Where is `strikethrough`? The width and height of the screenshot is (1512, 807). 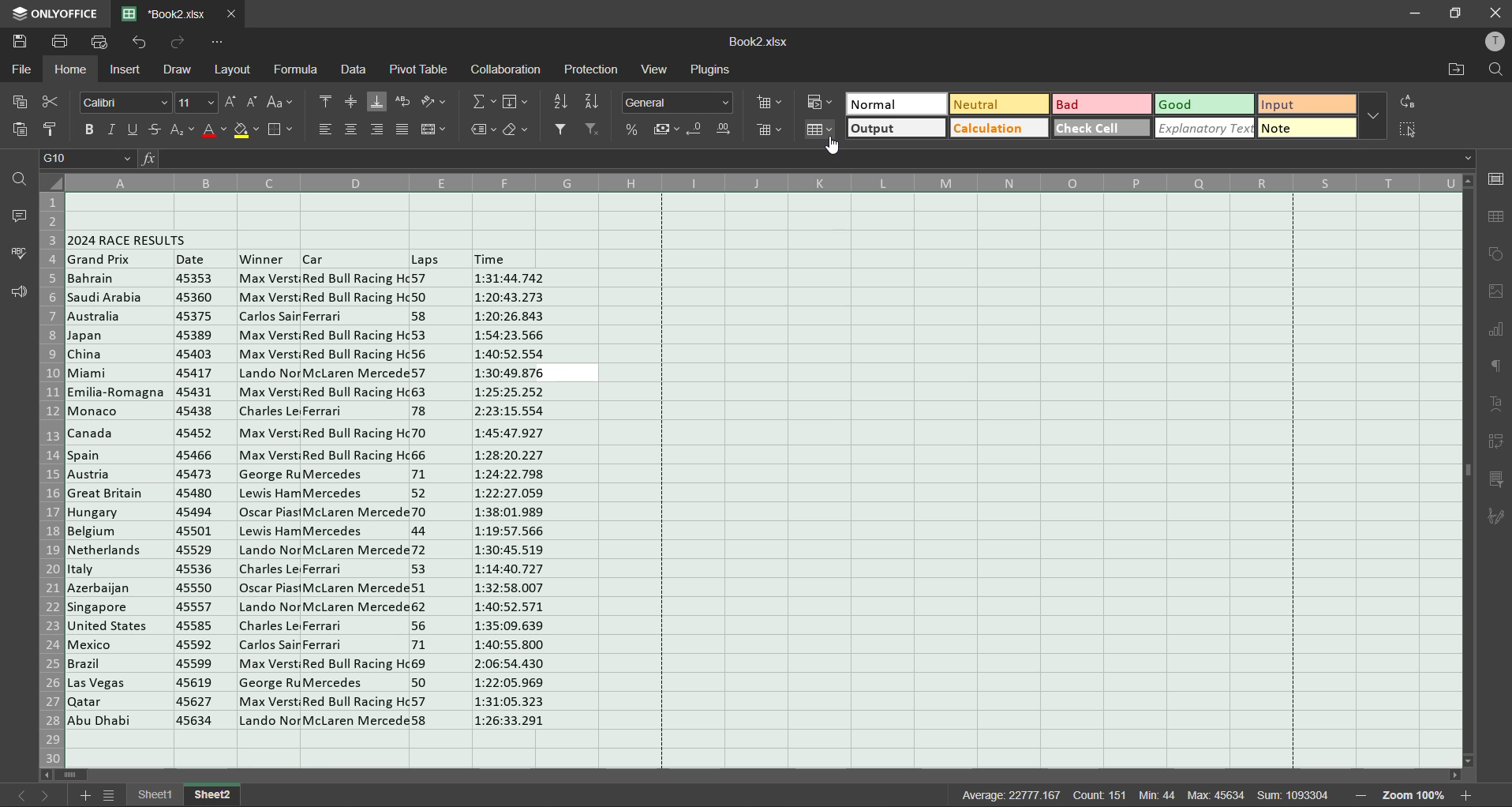
strikethrough is located at coordinates (158, 133).